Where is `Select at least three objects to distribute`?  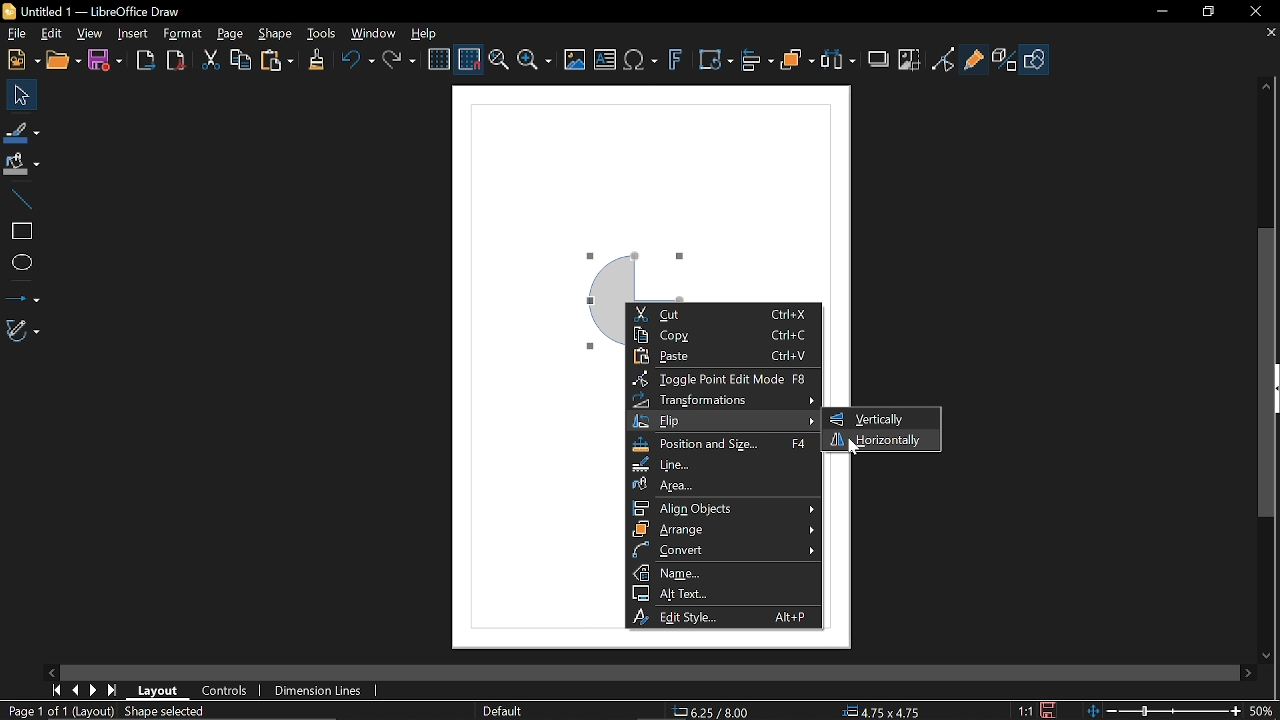
Select at least three objects to distribute is located at coordinates (839, 61).